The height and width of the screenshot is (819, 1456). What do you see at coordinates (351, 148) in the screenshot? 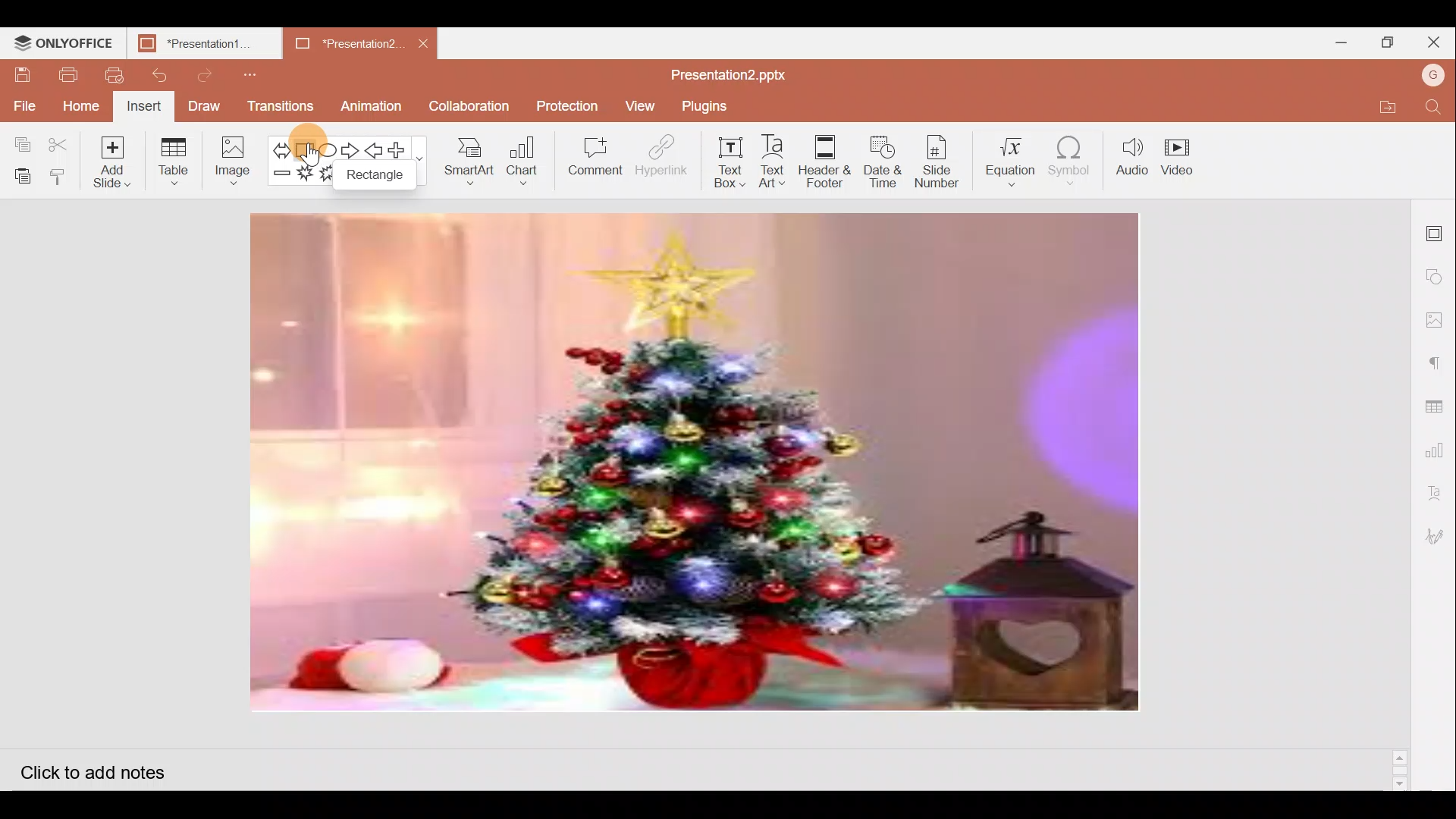
I see `Right arrow` at bounding box center [351, 148].